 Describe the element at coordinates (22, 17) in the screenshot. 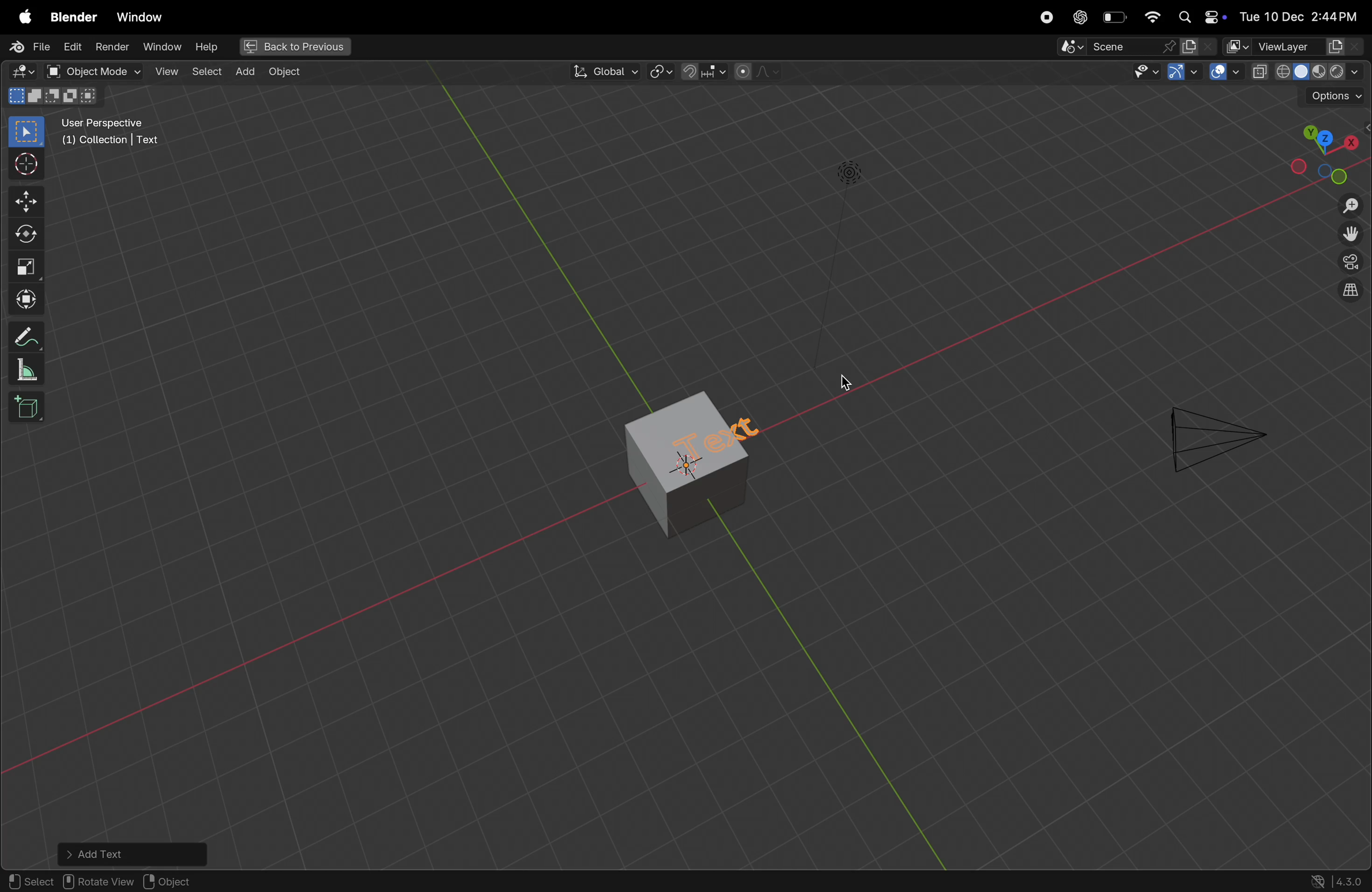

I see `apple menu` at that location.